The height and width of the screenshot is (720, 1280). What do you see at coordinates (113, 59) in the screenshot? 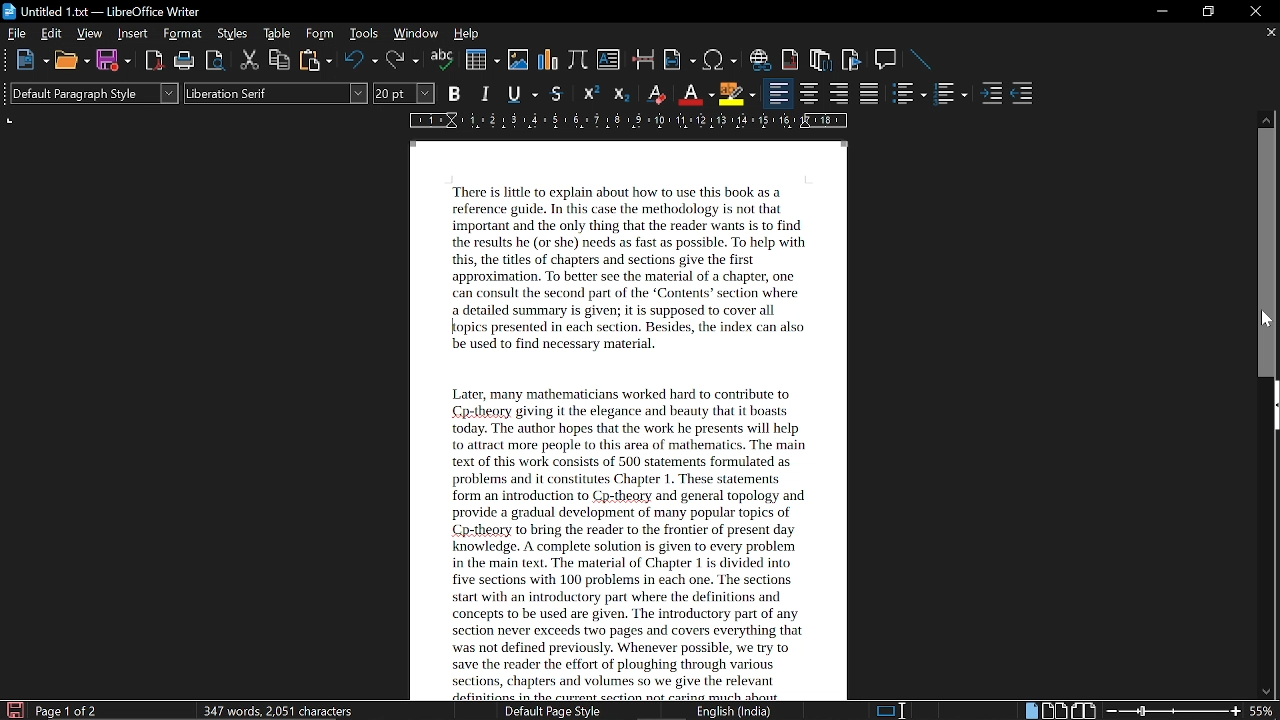
I see `save` at bounding box center [113, 59].